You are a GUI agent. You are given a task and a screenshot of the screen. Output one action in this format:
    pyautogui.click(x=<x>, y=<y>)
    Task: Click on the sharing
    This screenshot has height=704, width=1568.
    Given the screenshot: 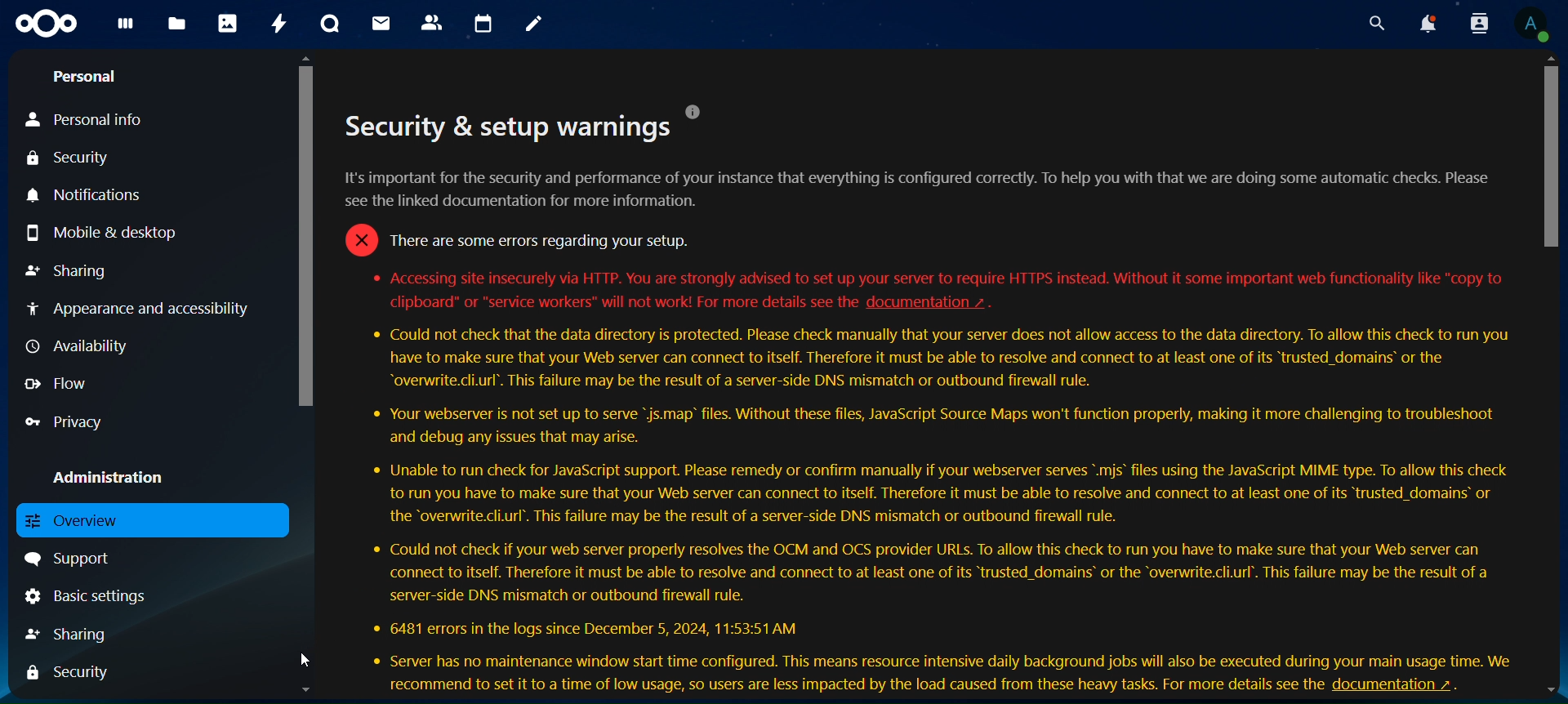 What is the action you would take?
    pyautogui.click(x=66, y=271)
    